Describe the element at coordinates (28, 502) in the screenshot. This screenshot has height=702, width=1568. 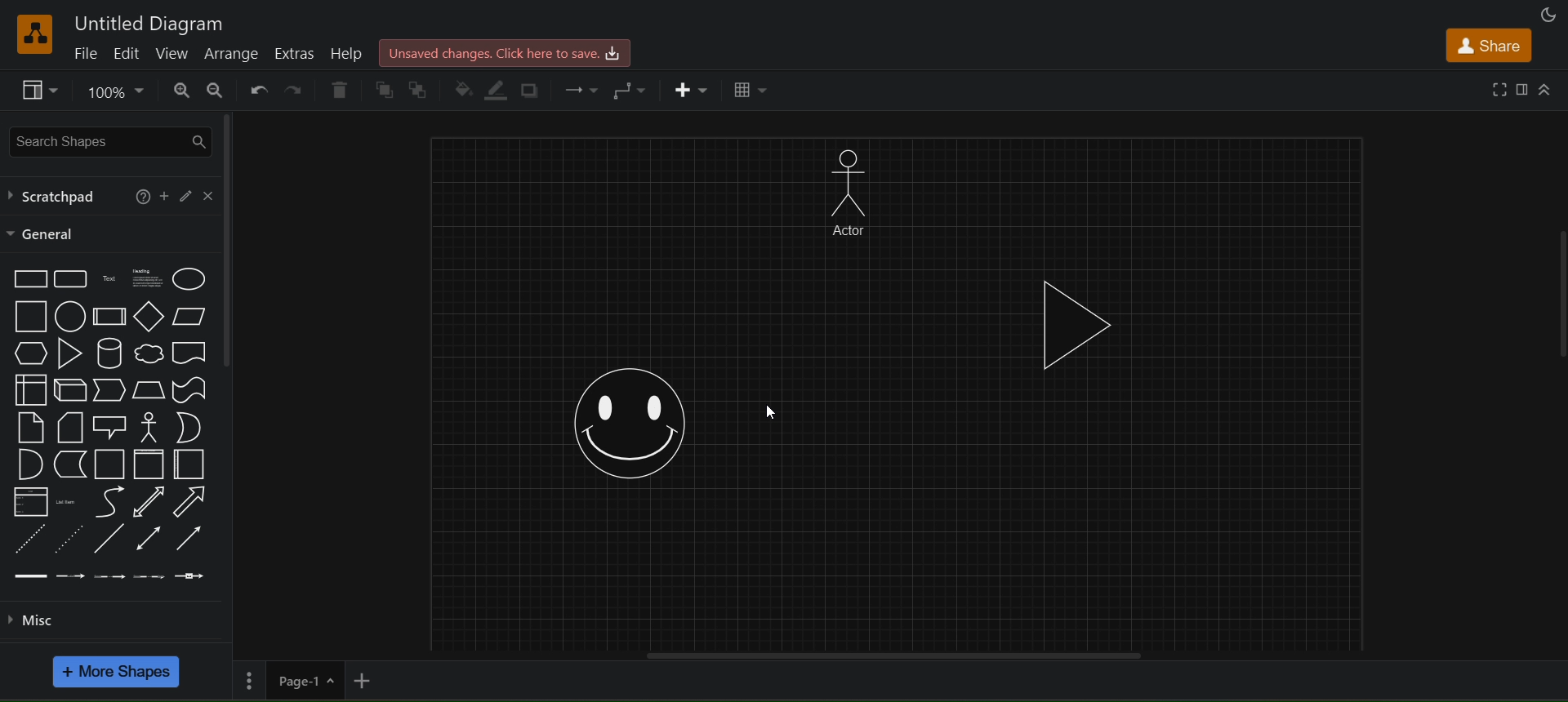
I see `list` at that location.